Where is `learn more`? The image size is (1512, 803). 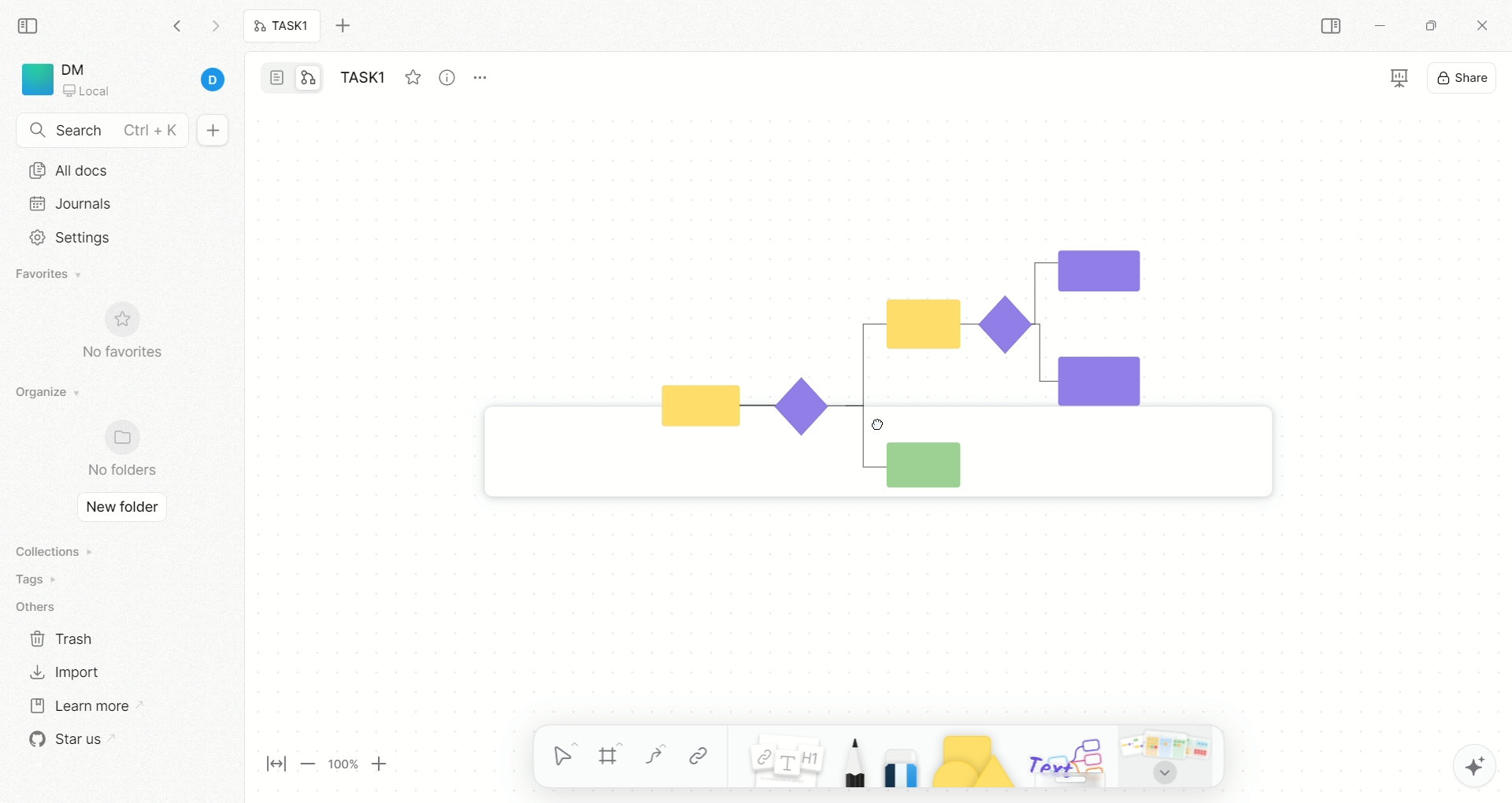 learn more is located at coordinates (78, 704).